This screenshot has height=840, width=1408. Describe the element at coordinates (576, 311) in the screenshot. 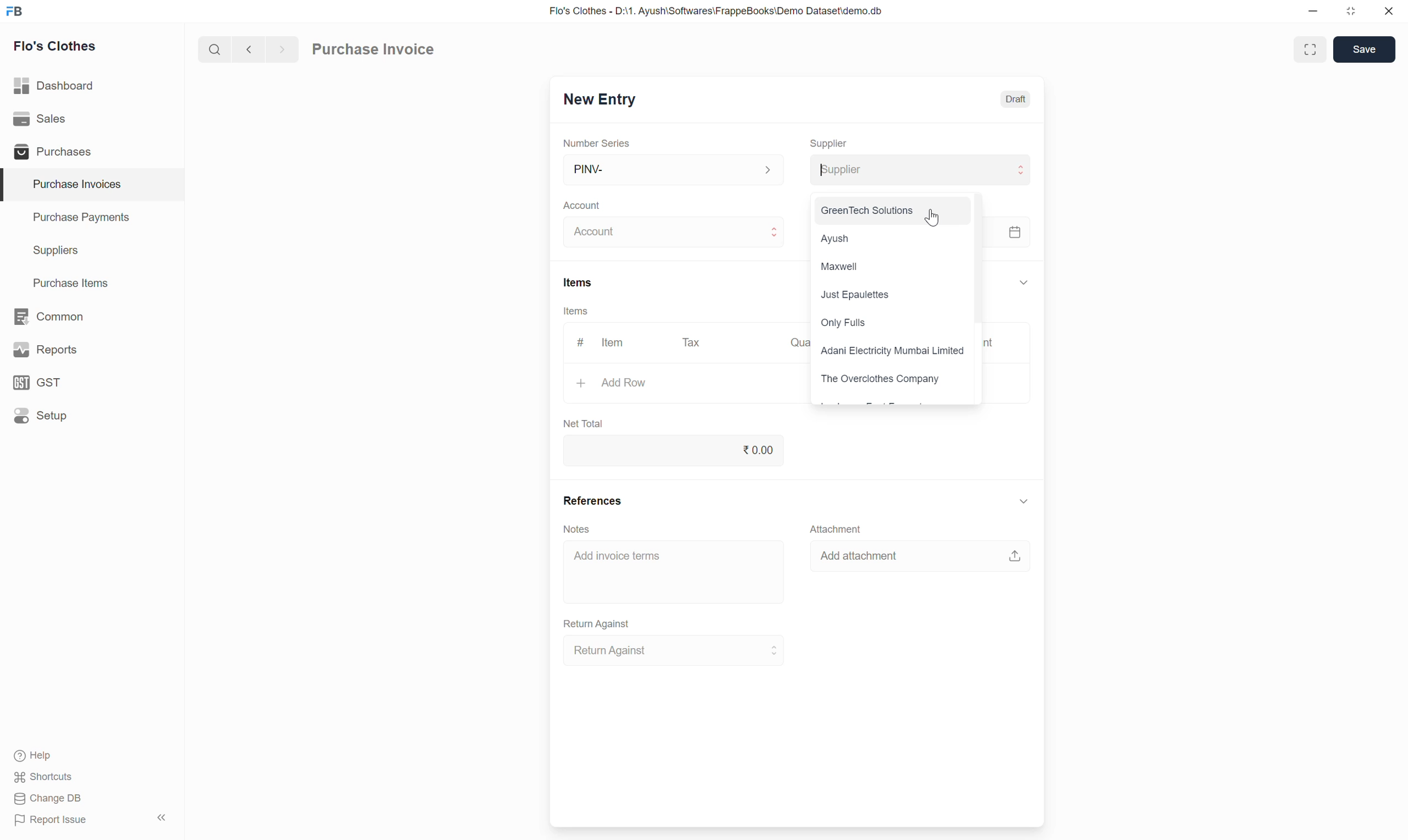

I see `Items` at that location.